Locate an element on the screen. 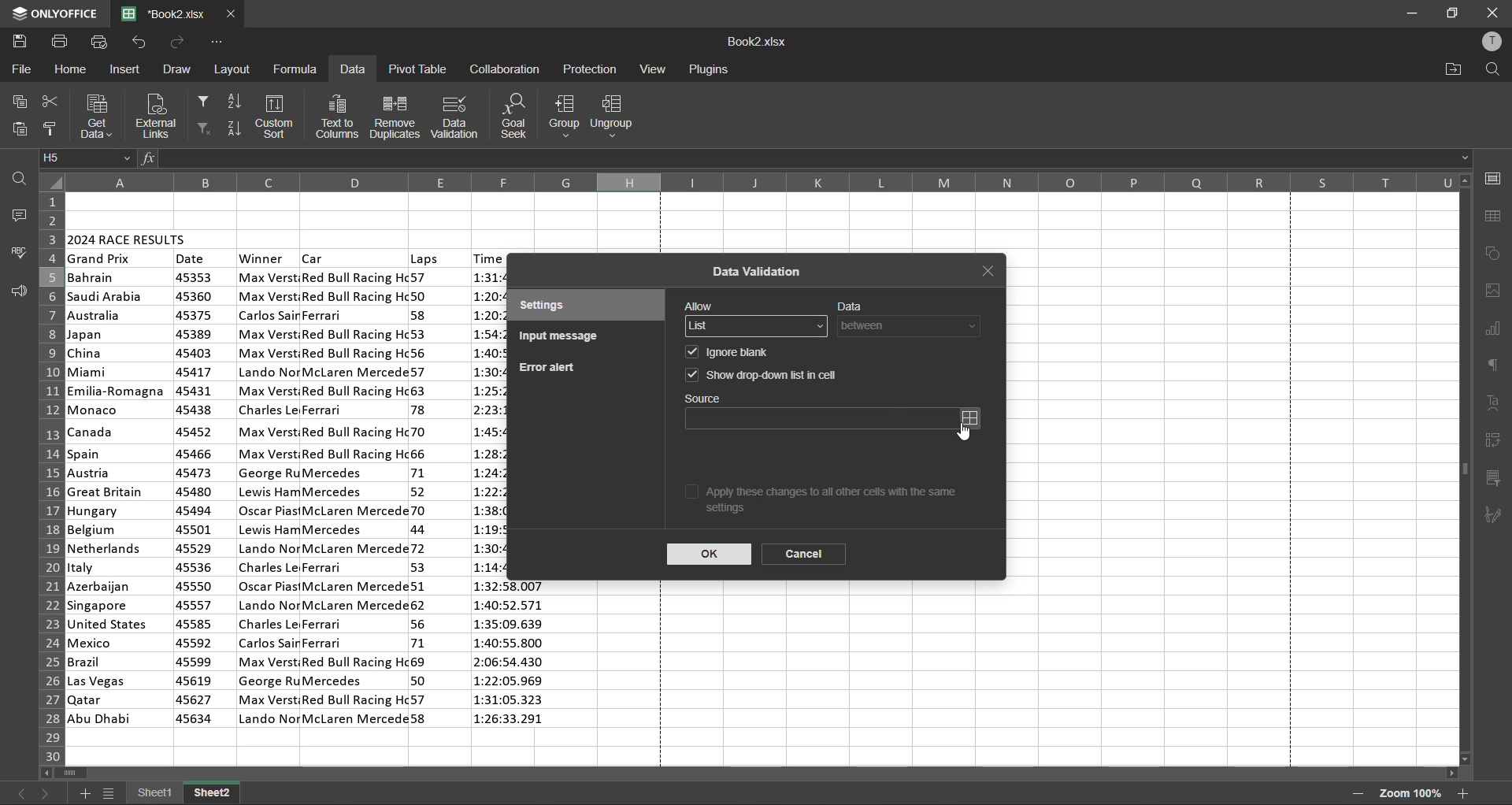 The height and width of the screenshot is (805, 1512). paragraph is located at coordinates (1497, 364).